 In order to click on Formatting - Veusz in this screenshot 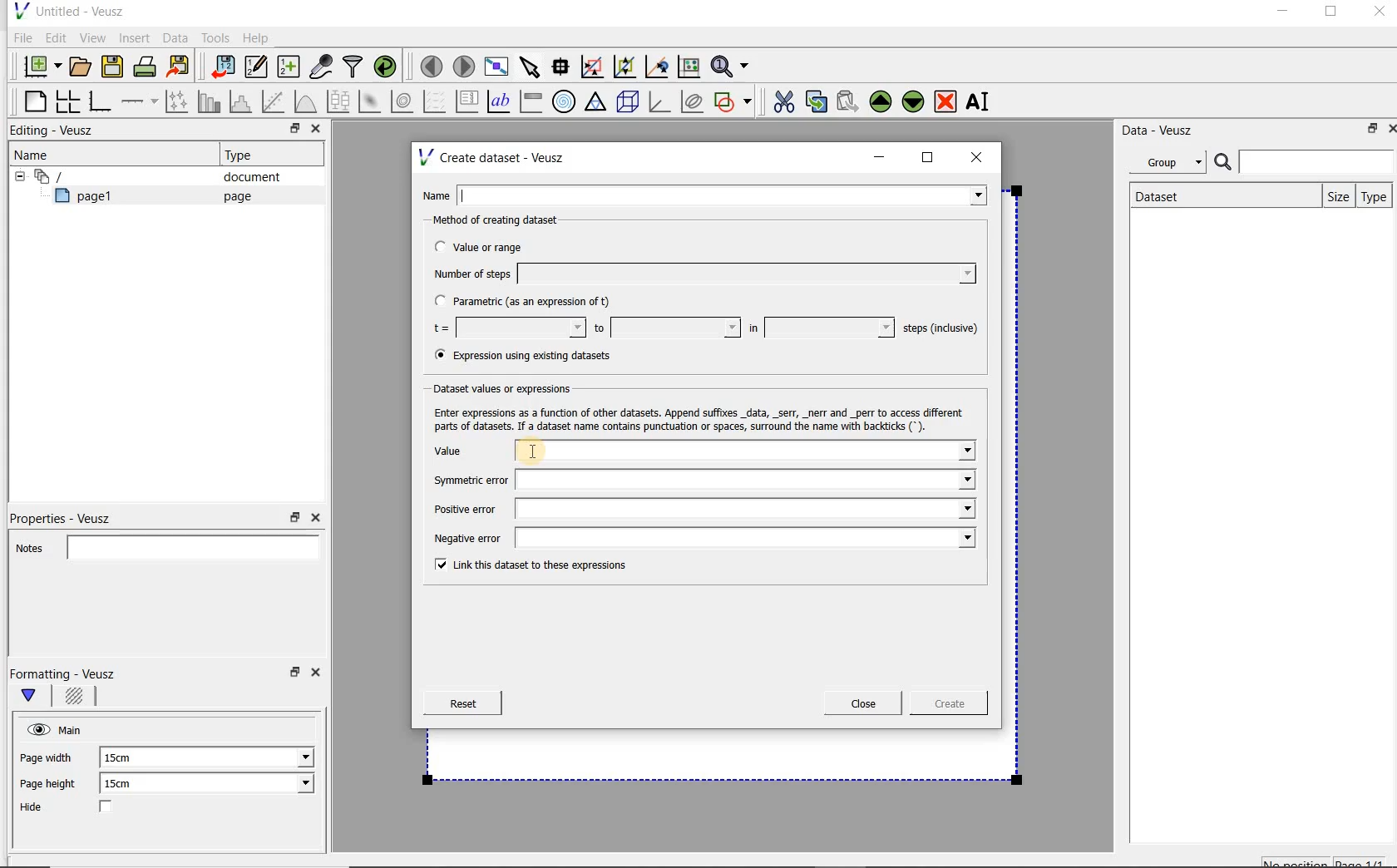, I will do `click(65, 673)`.